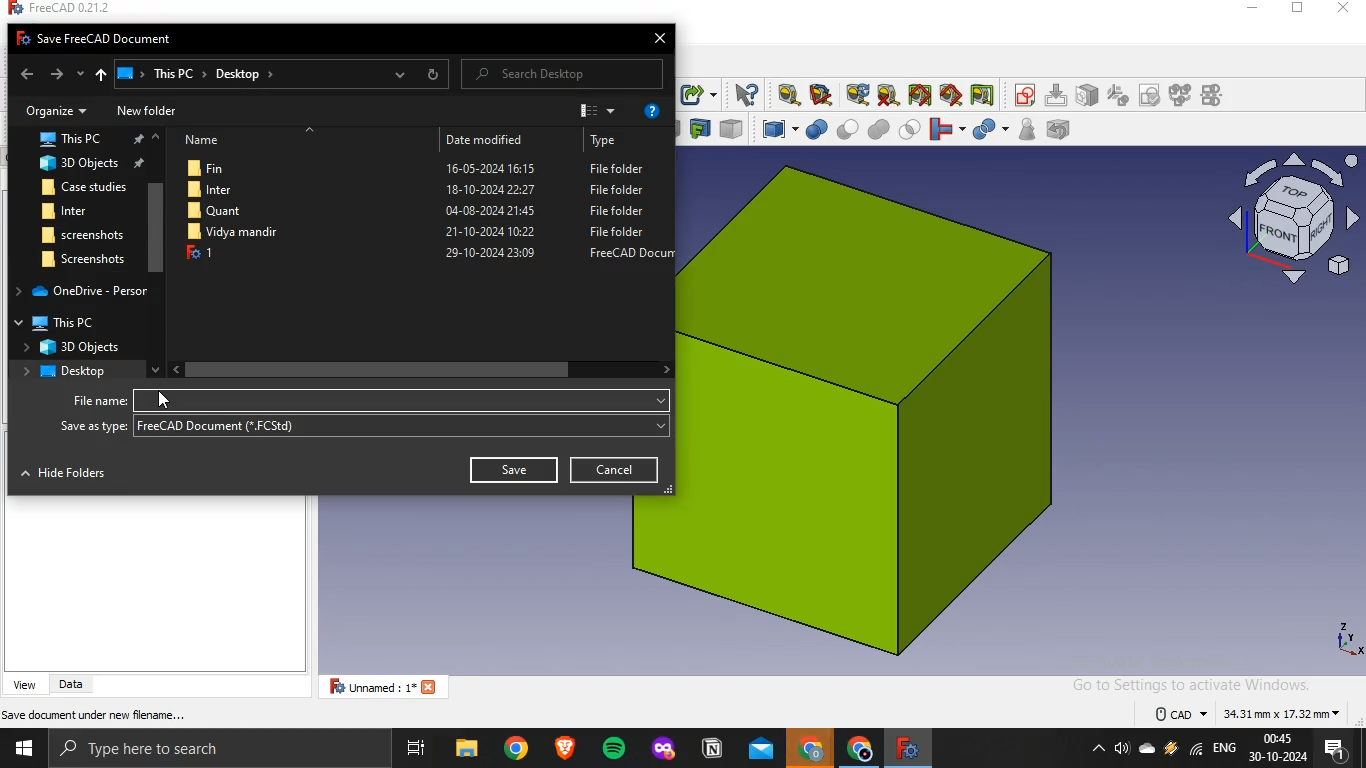 This screenshot has height=768, width=1366. What do you see at coordinates (73, 238) in the screenshot?
I see `screenshot` at bounding box center [73, 238].